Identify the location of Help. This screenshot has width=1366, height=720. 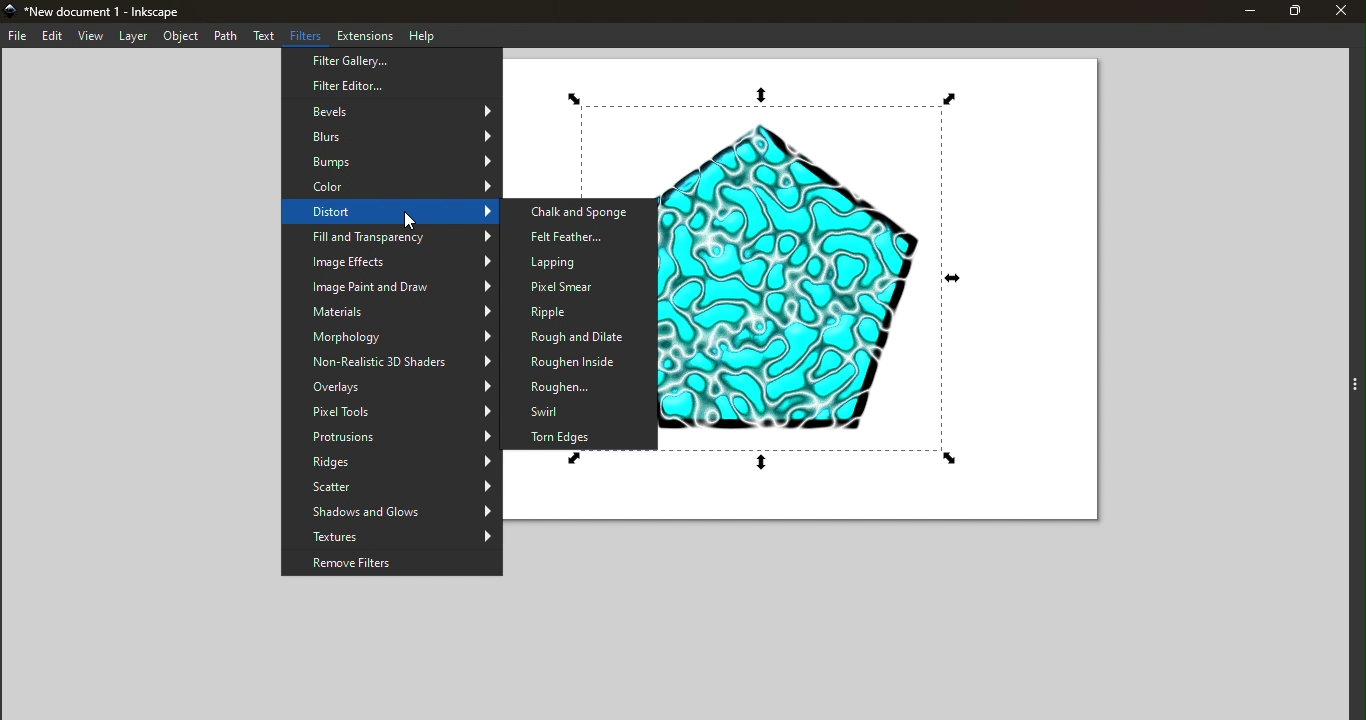
(428, 34).